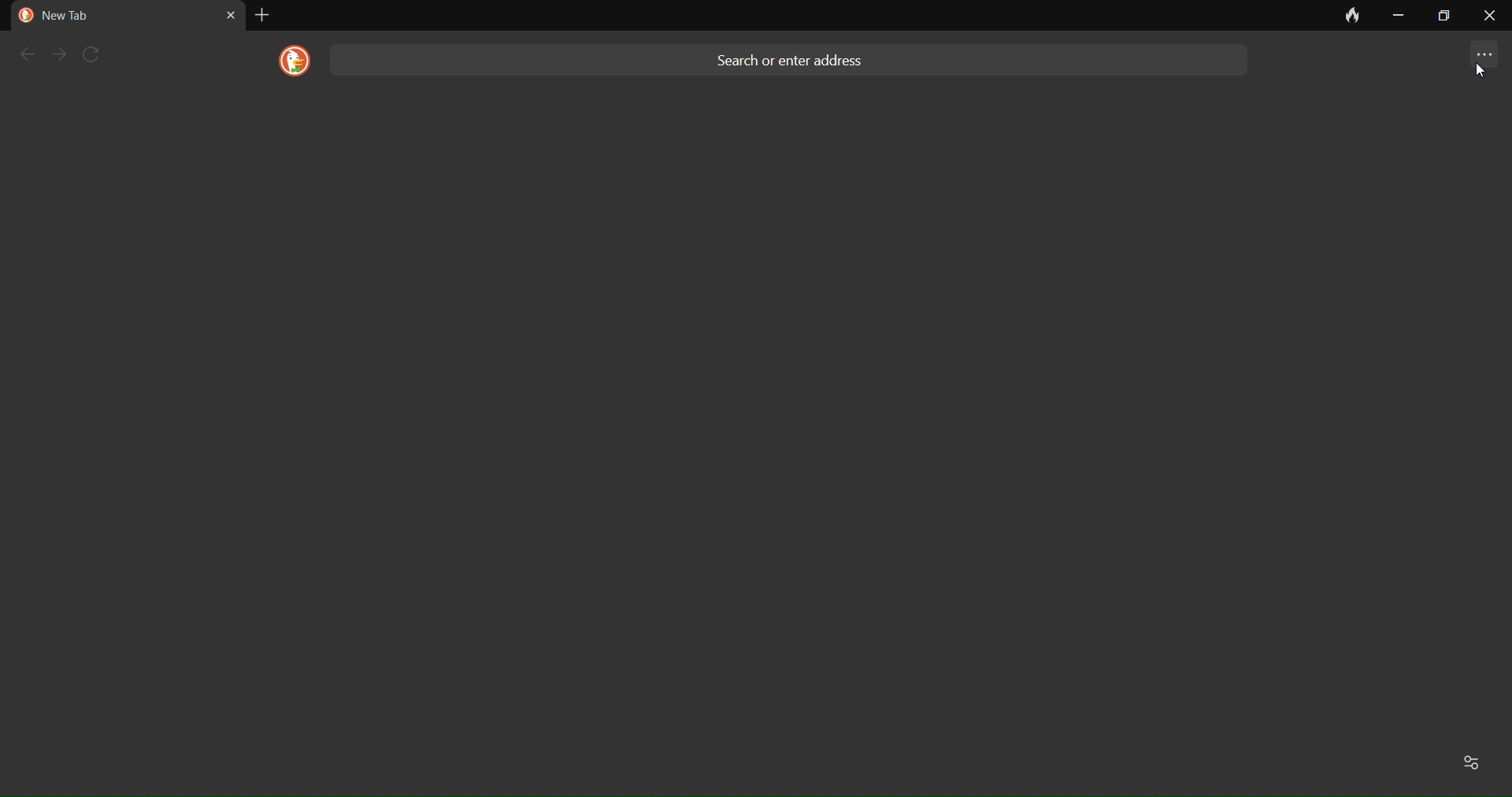  What do you see at coordinates (1478, 70) in the screenshot?
I see `cursor` at bounding box center [1478, 70].